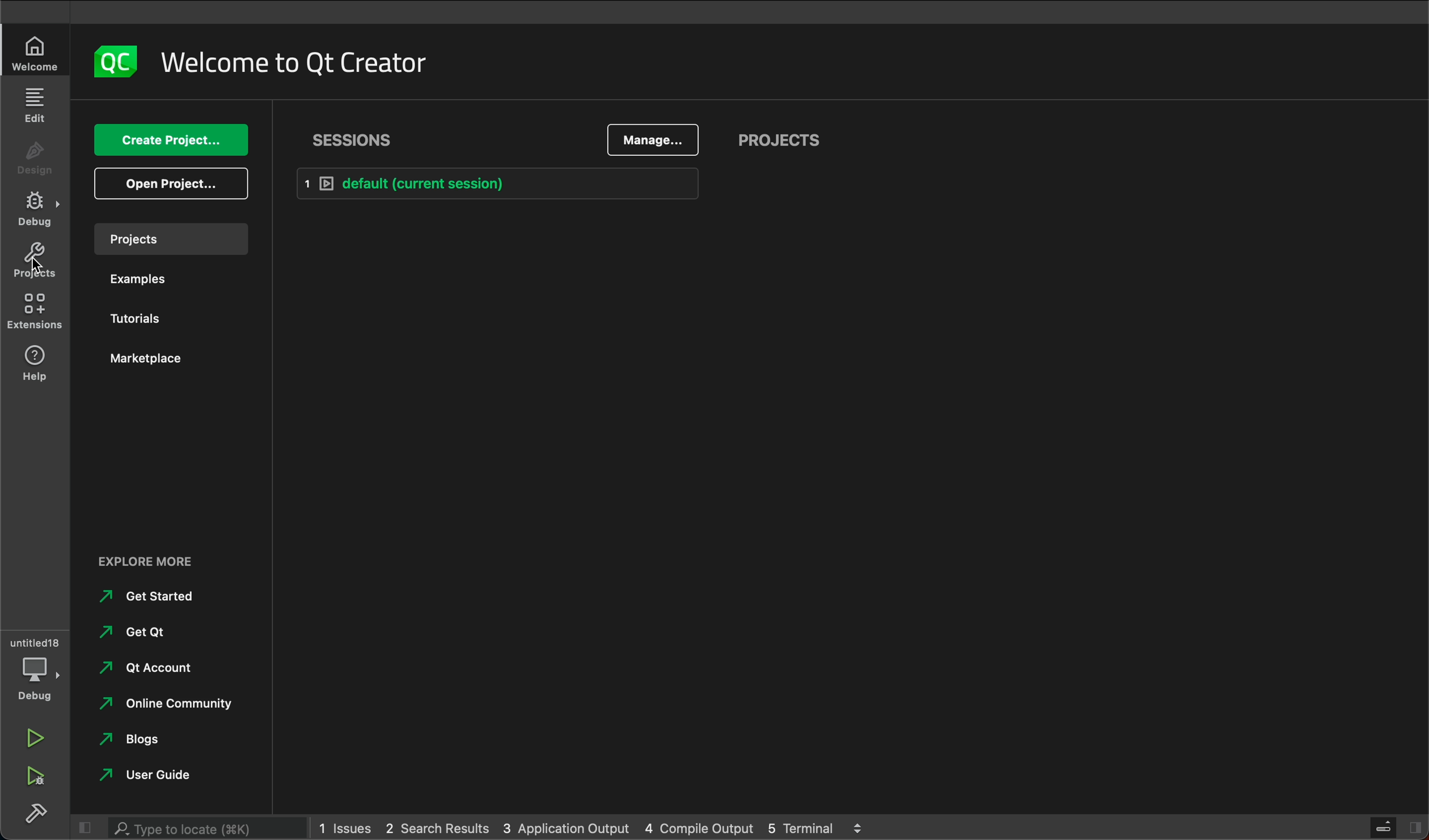 This screenshot has height=840, width=1429. I want to click on 4 Compile Output, so click(699, 828).